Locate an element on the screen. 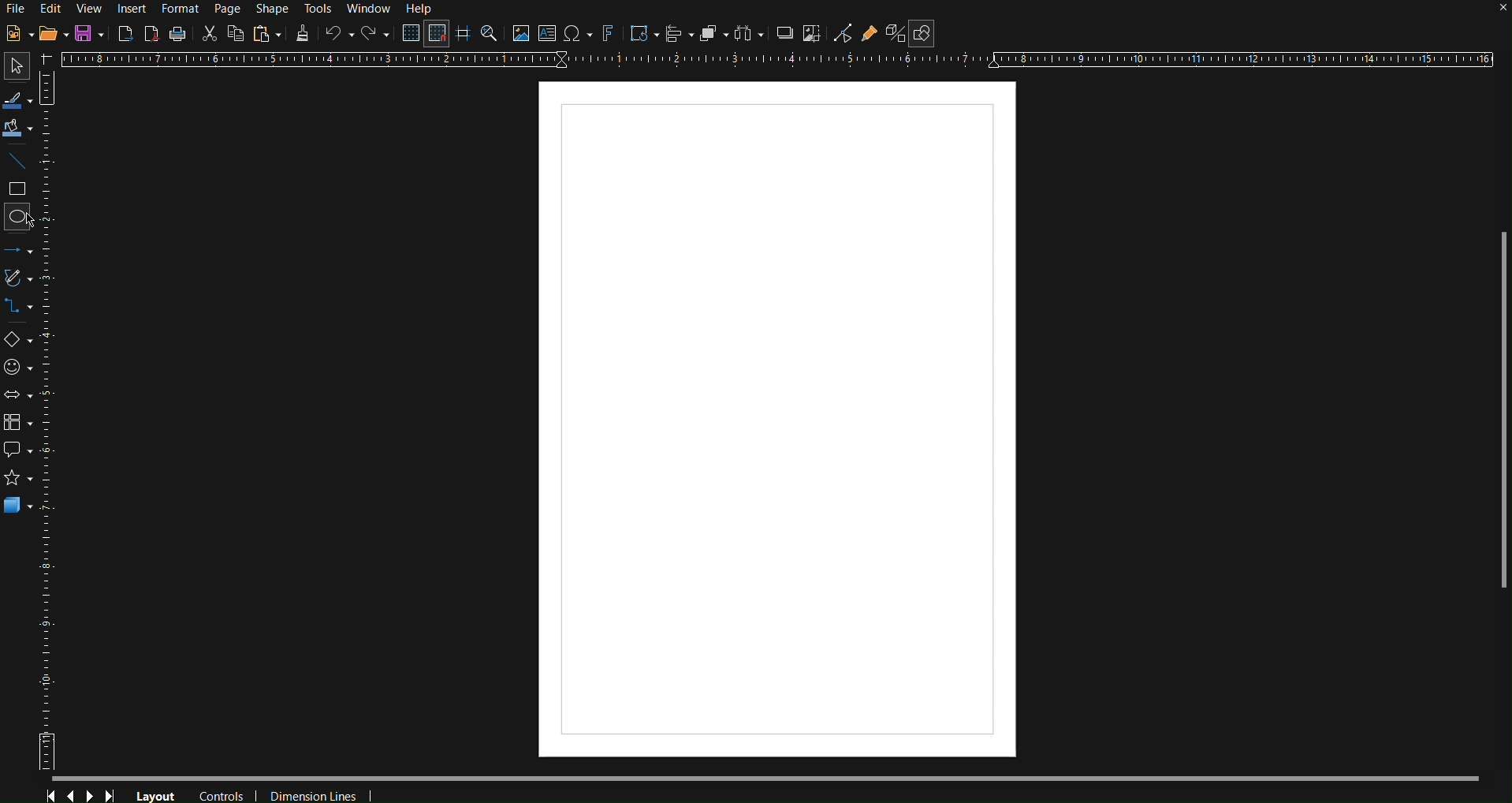  Open is located at coordinates (54, 35).